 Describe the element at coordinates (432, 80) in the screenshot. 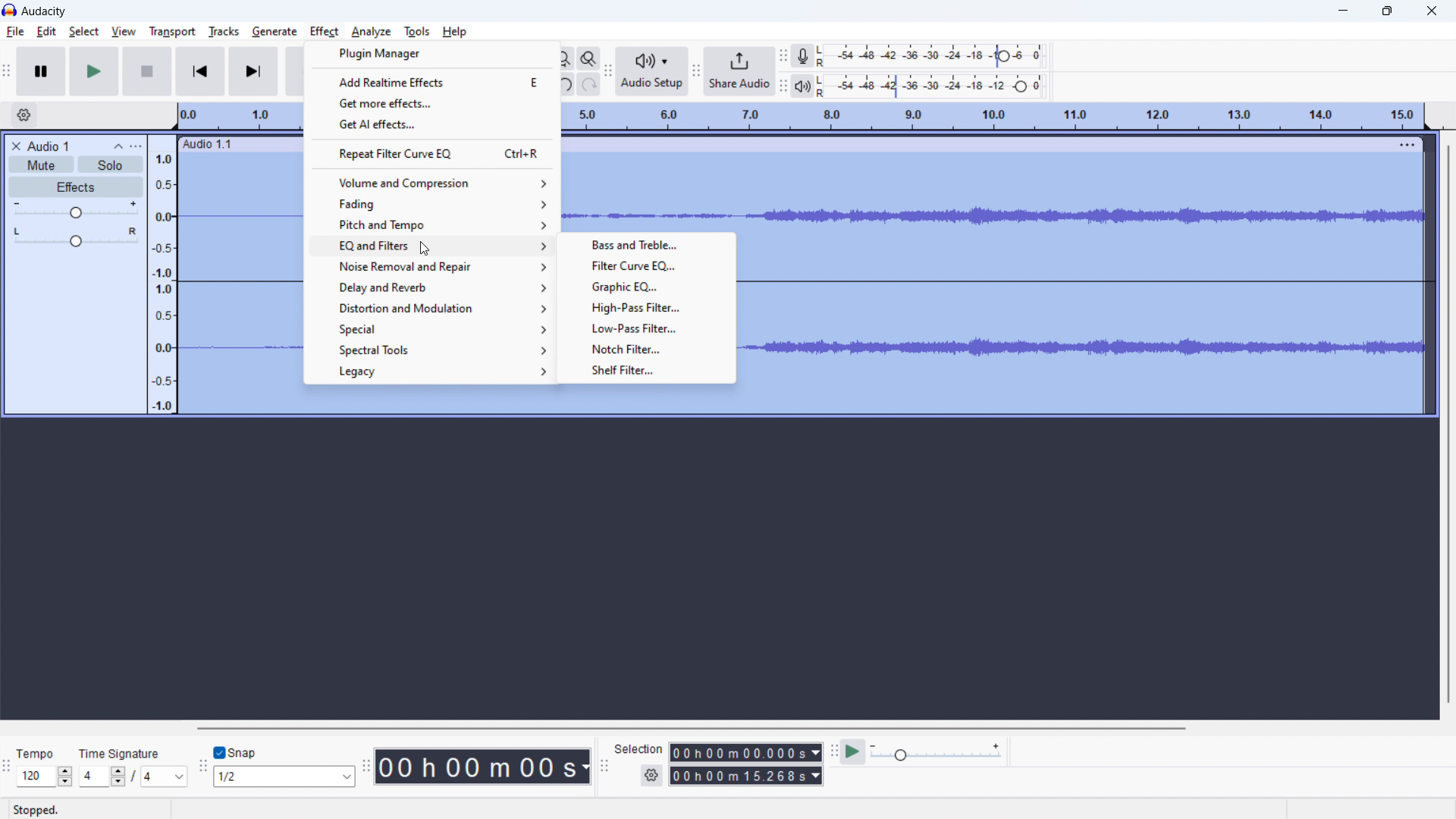

I see `add realtime effects` at that location.